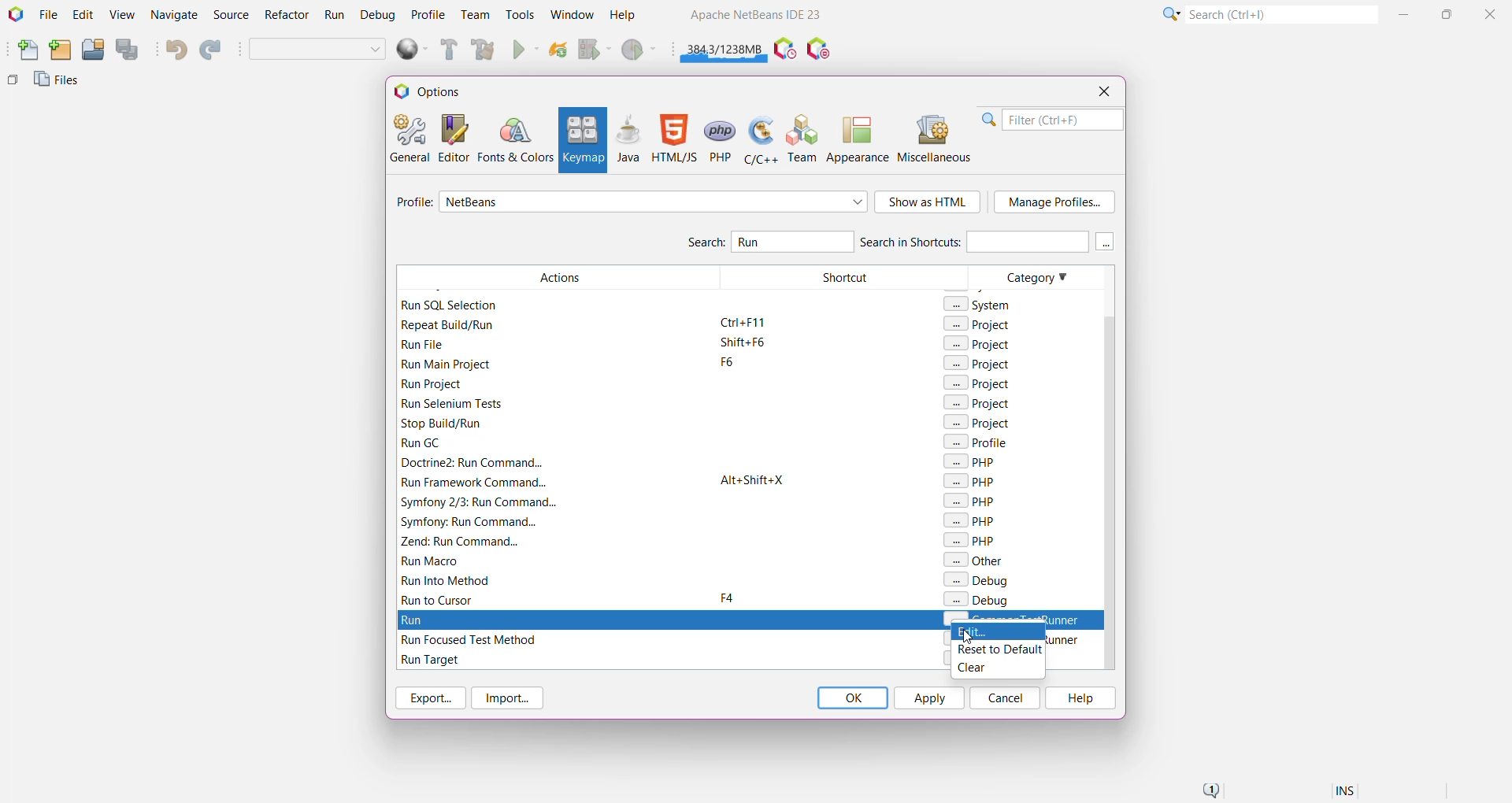 The image size is (1512, 803). What do you see at coordinates (754, 17) in the screenshot?
I see `Application name and Version` at bounding box center [754, 17].